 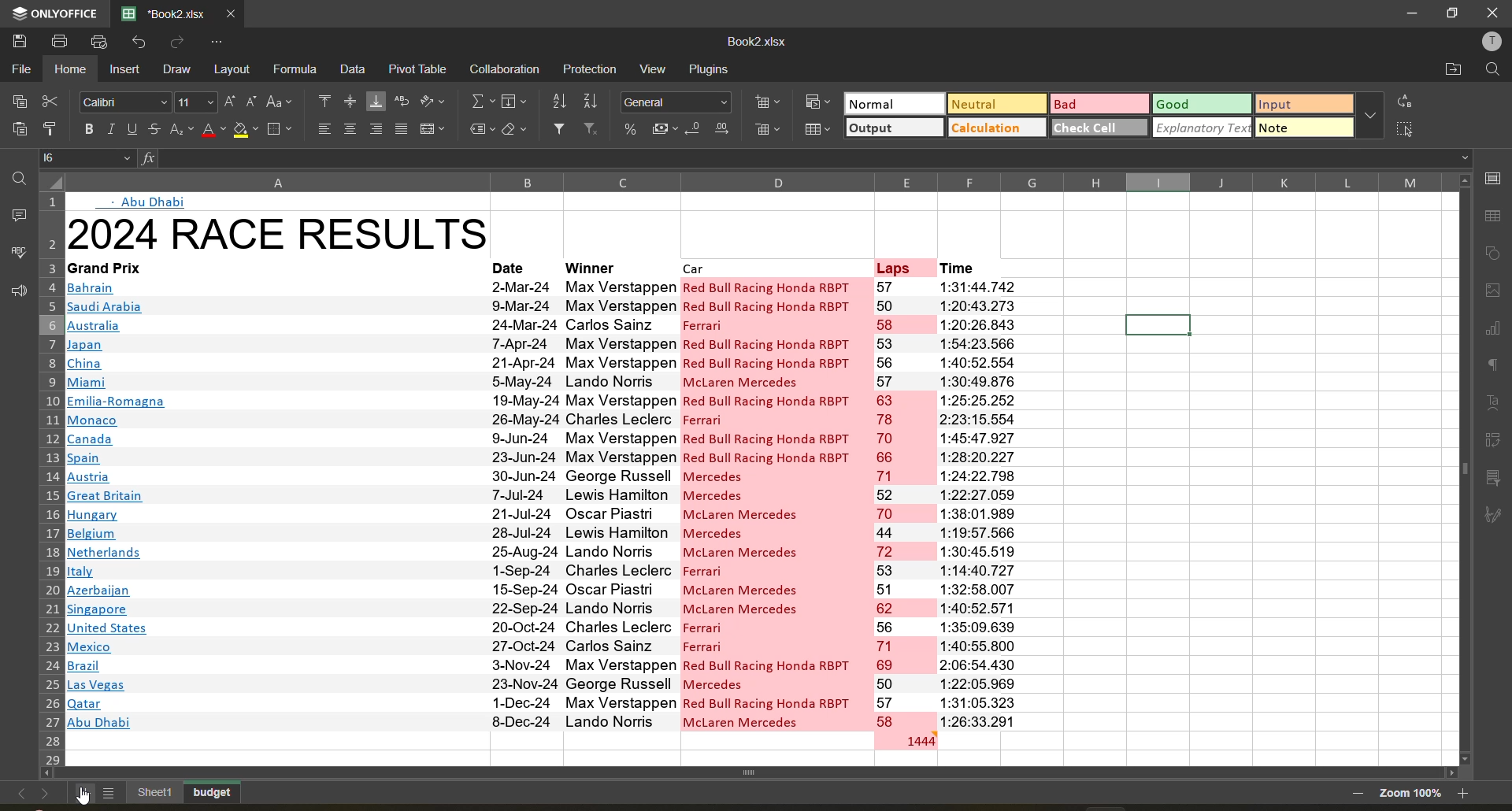 I want to click on named fields, so click(x=479, y=128).